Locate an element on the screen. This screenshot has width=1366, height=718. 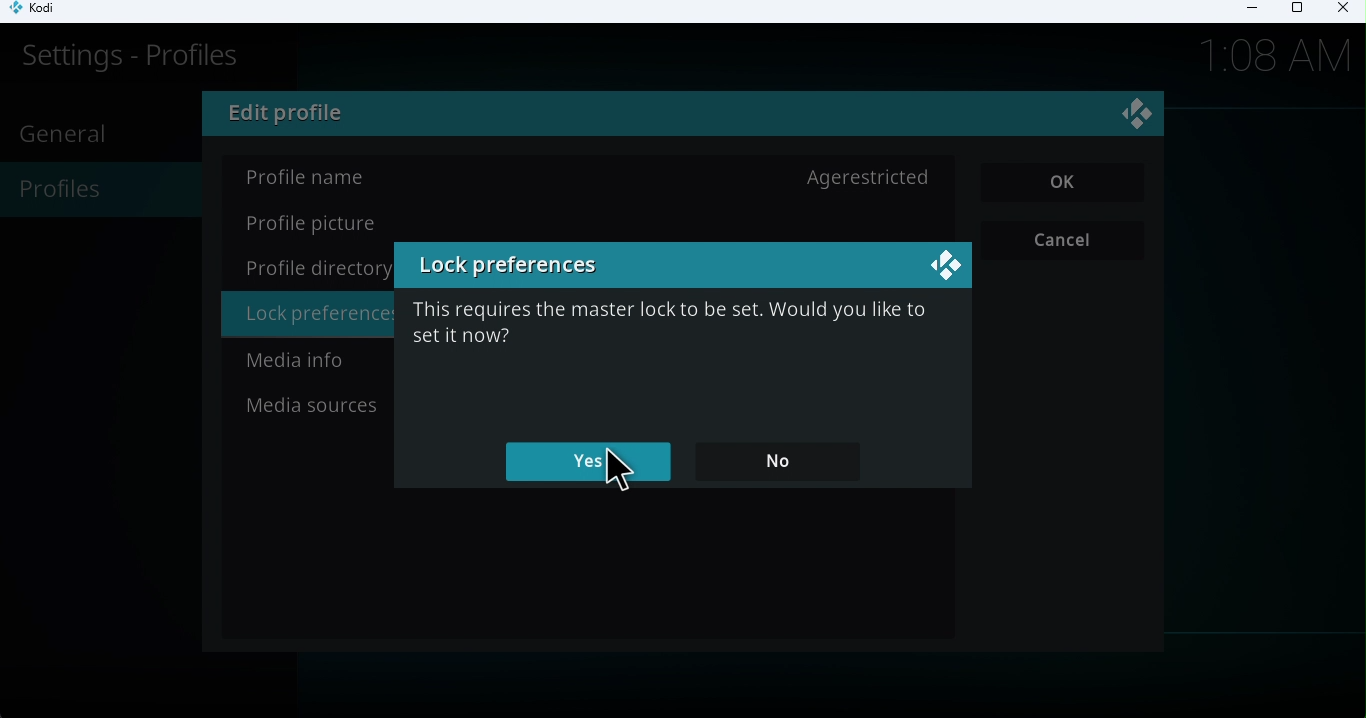
Kodi icon is located at coordinates (42, 12).